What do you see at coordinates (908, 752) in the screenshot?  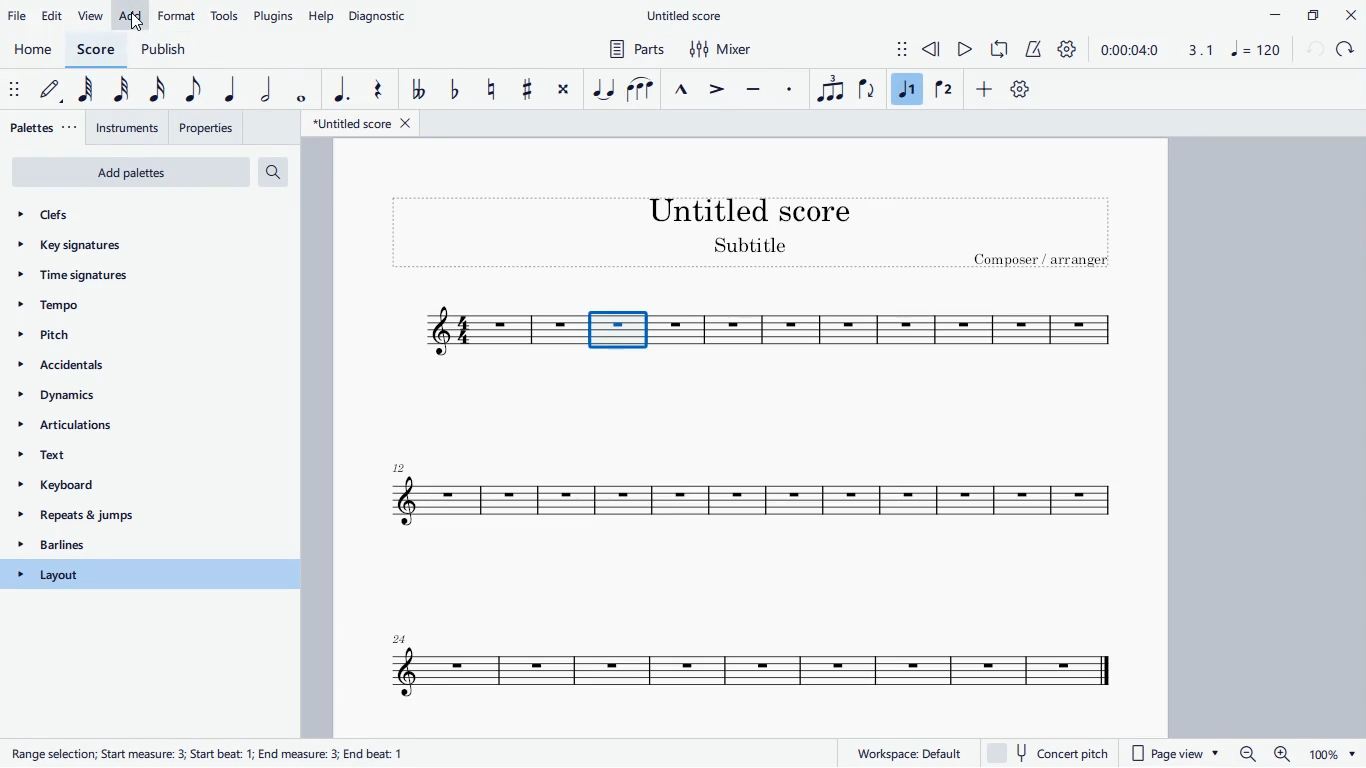 I see `workspace default` at bounding box center [908, 752].